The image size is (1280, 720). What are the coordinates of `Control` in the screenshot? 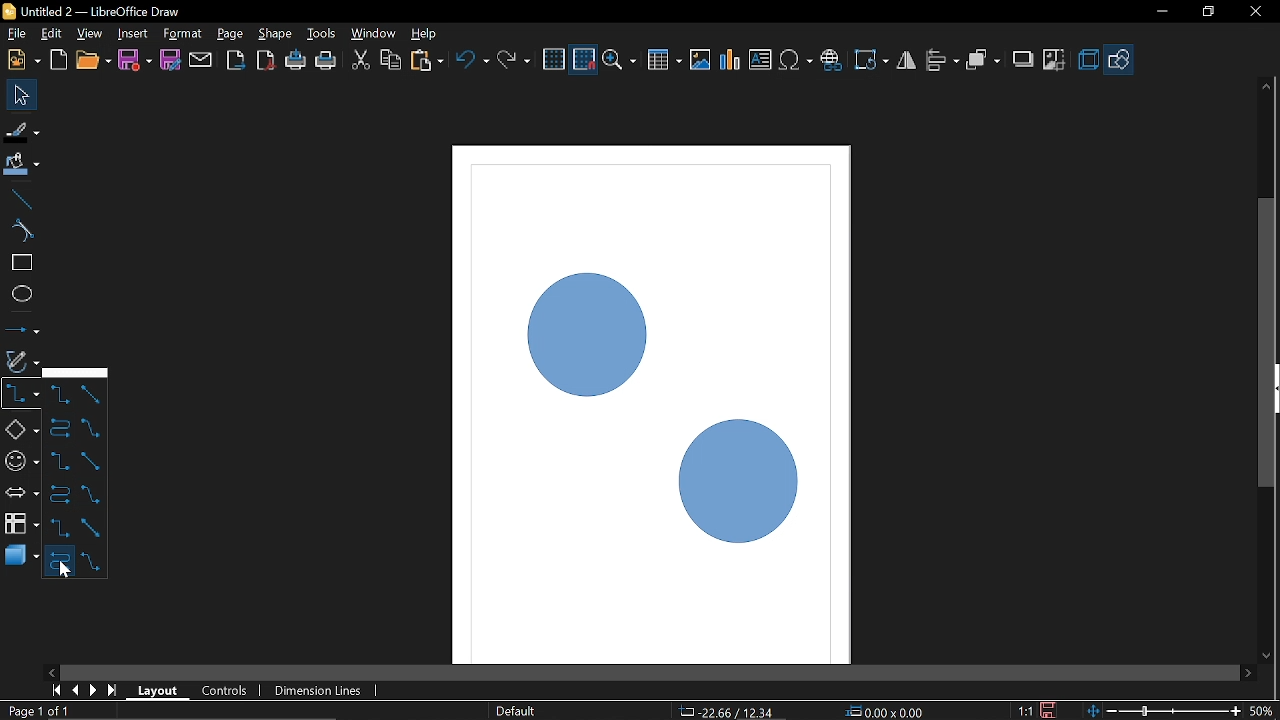 It's located at (230, 691).